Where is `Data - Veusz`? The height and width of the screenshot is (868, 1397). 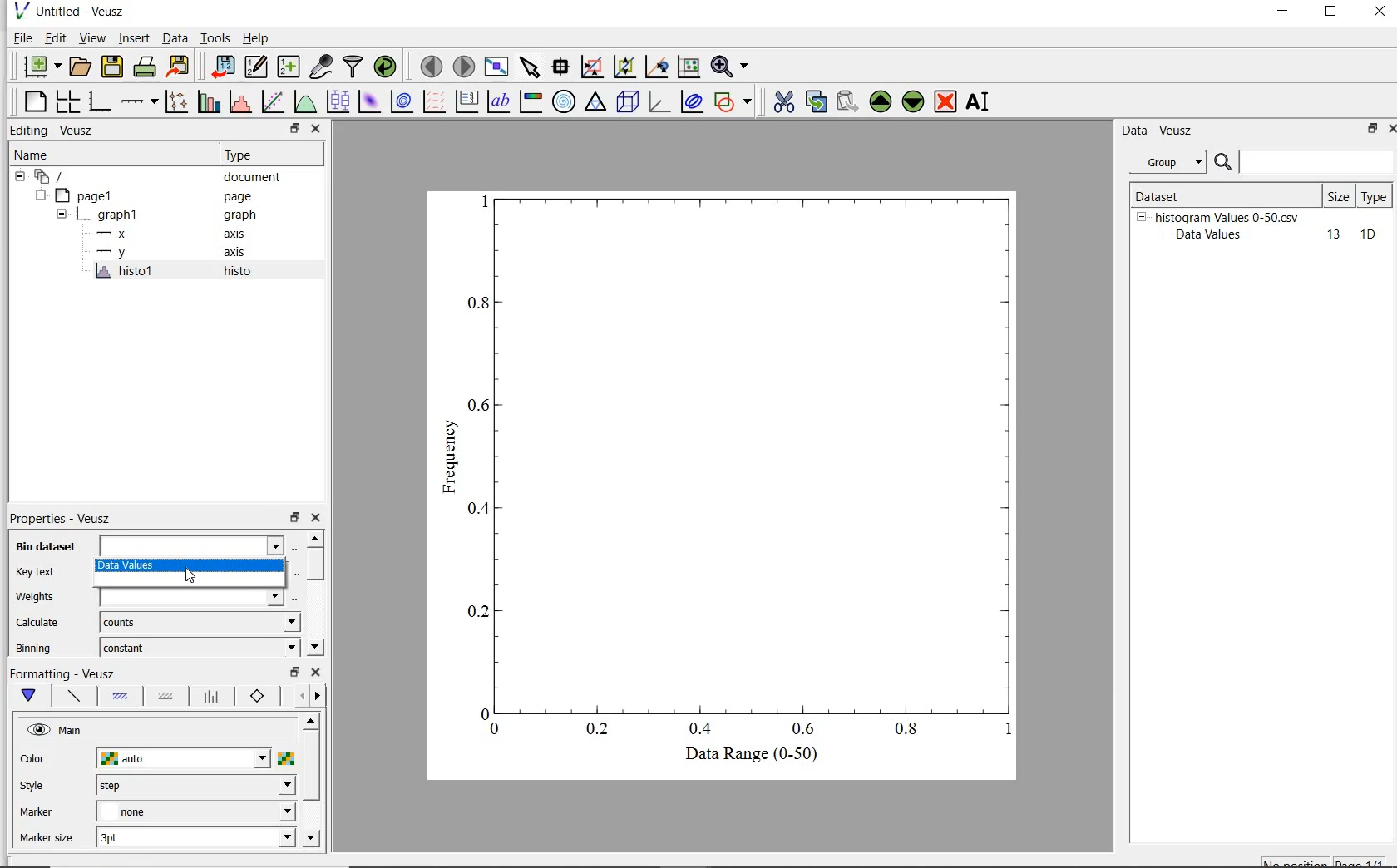 Data - Veusz is located at coordinates (1160, 131).